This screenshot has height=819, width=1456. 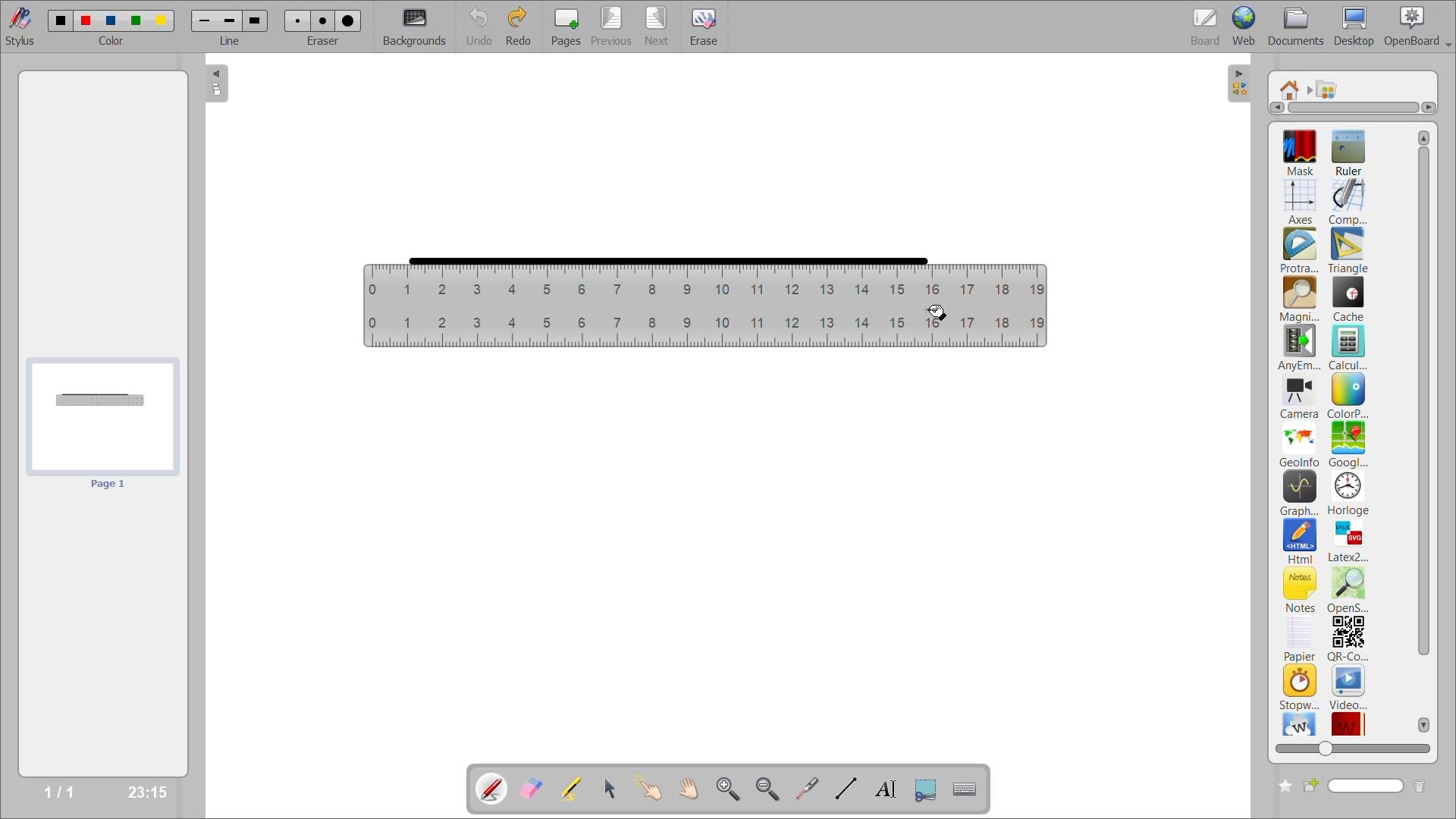 What do you see at coordinates (1351, 591) in the screenshot?
I see `openstreetmap` at bounding box center [1351, 591].